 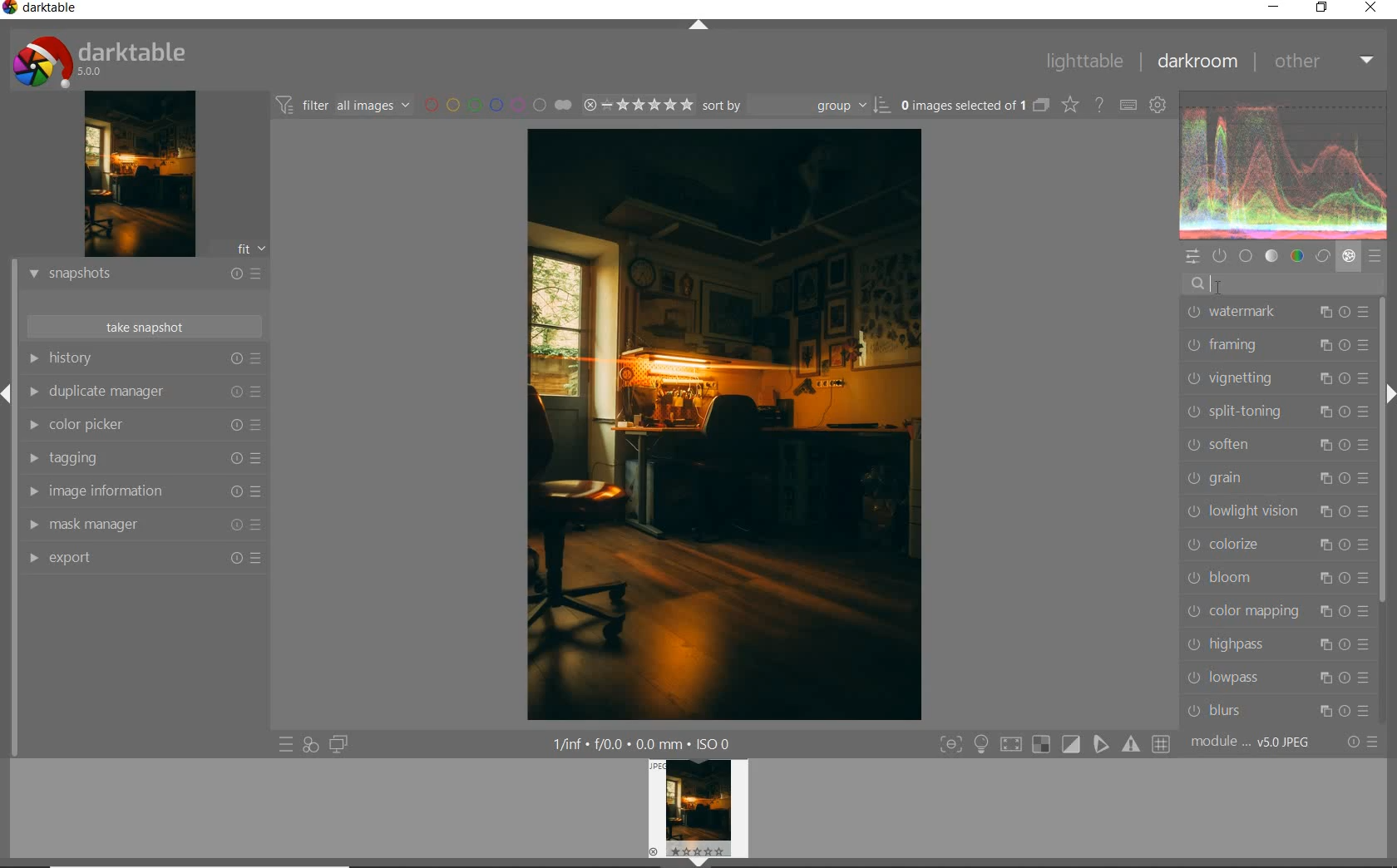 What do you see at coordinates (140, 456) in the screenshot?
I see `tagging` at bounding box center [140, 456].